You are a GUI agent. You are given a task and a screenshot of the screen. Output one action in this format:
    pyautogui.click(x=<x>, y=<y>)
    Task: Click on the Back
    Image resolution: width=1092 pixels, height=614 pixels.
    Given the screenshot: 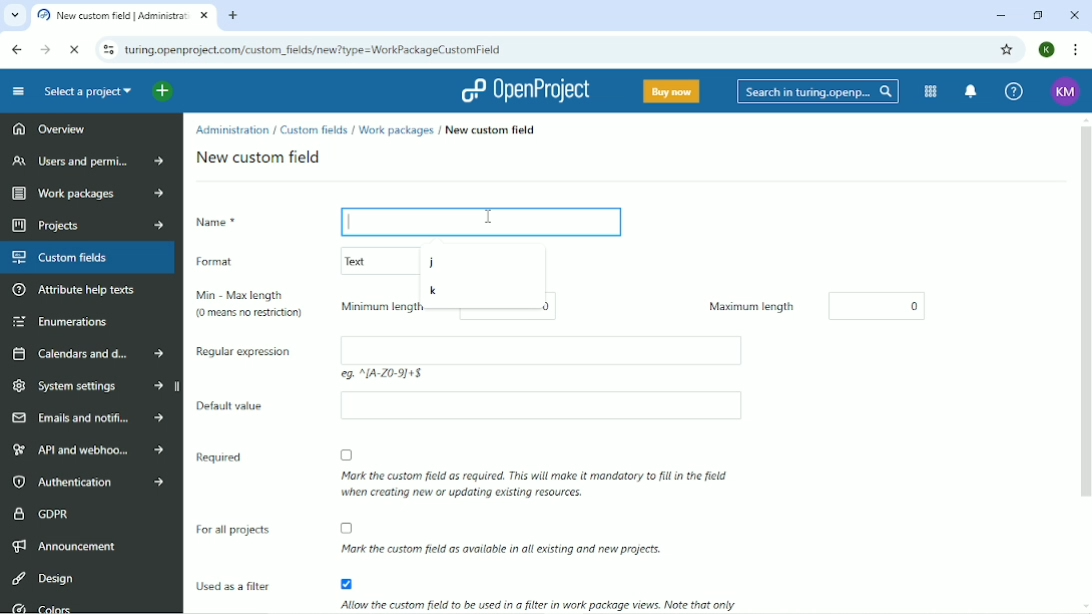 What is the action you would take?
    pyautogui.click(x=18, y=49)
    